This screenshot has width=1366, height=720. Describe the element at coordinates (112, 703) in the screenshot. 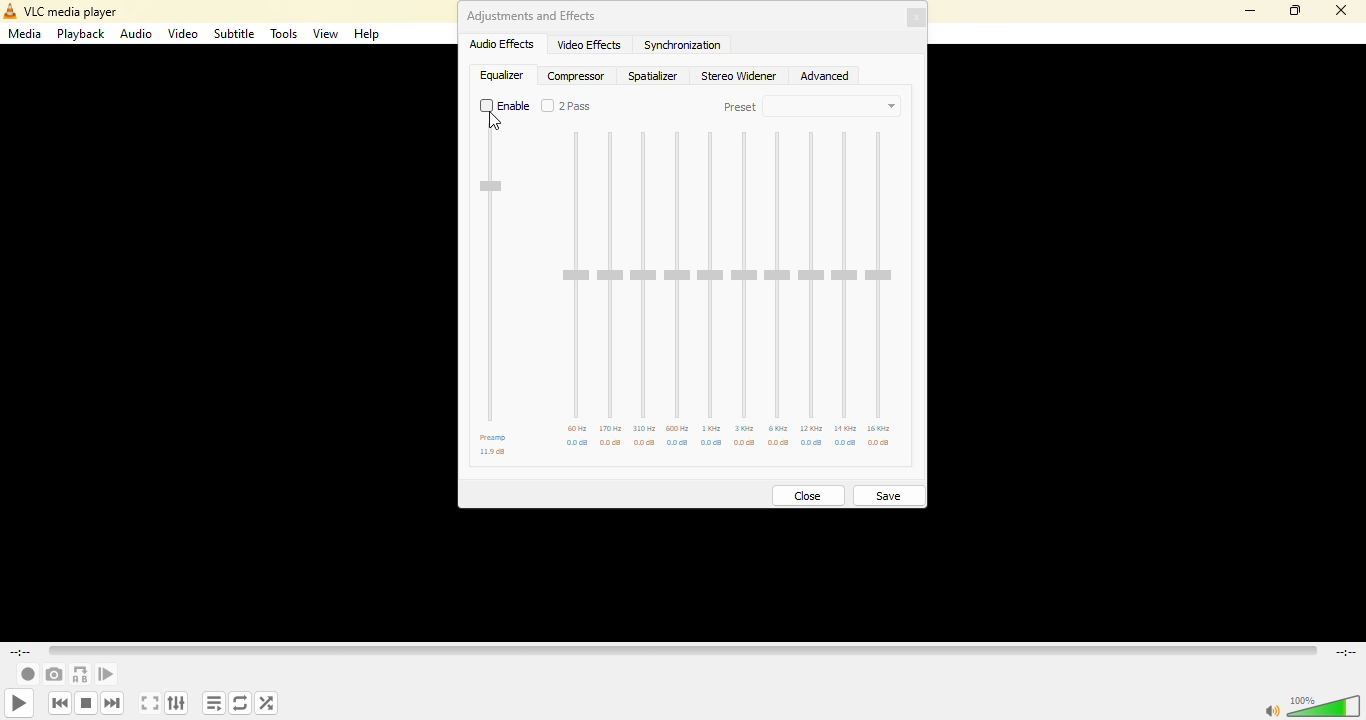

I see `next media in the playlist` at that location.